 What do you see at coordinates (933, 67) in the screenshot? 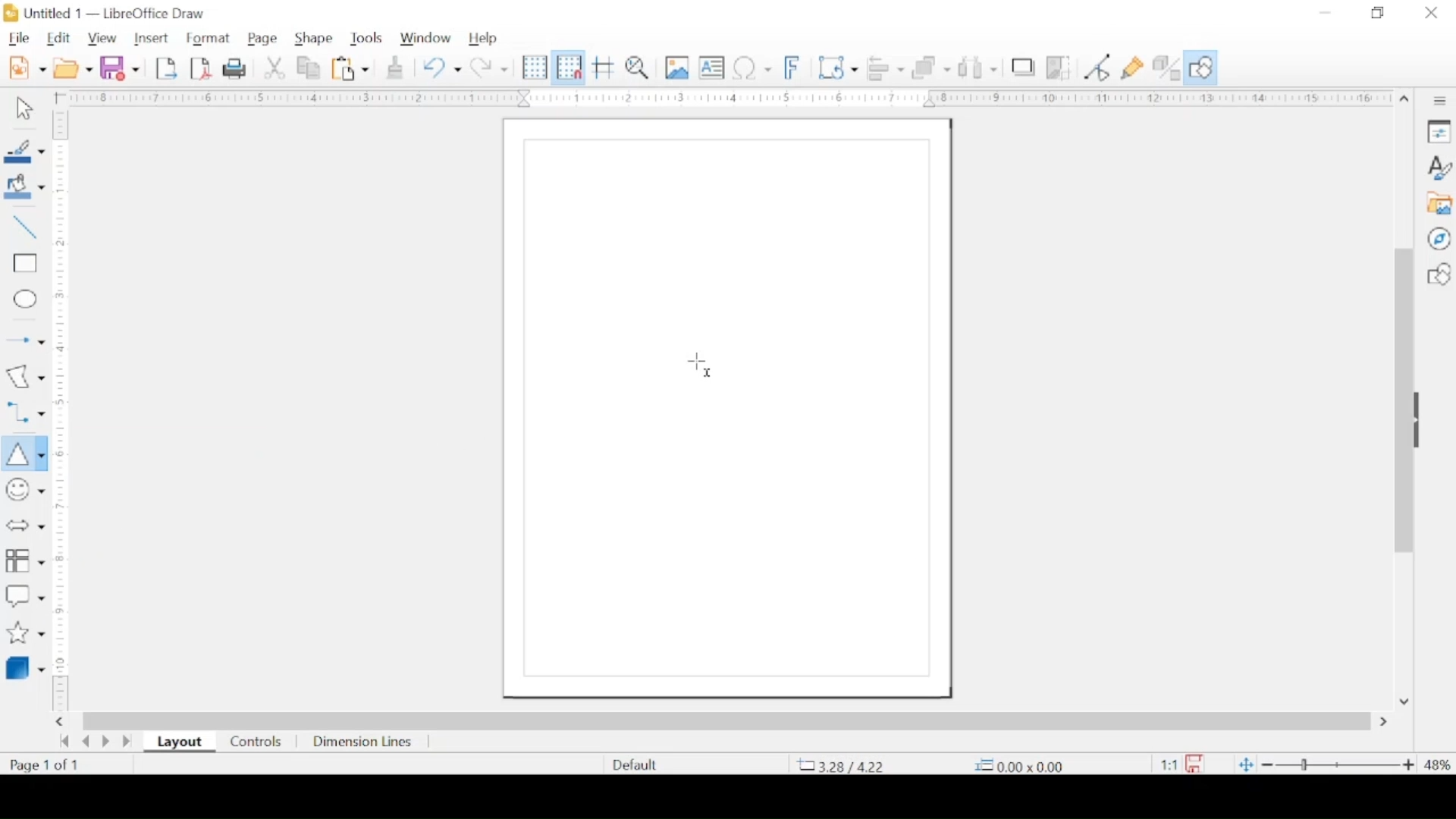
I see `arrange` at bounding box center [933, 67].